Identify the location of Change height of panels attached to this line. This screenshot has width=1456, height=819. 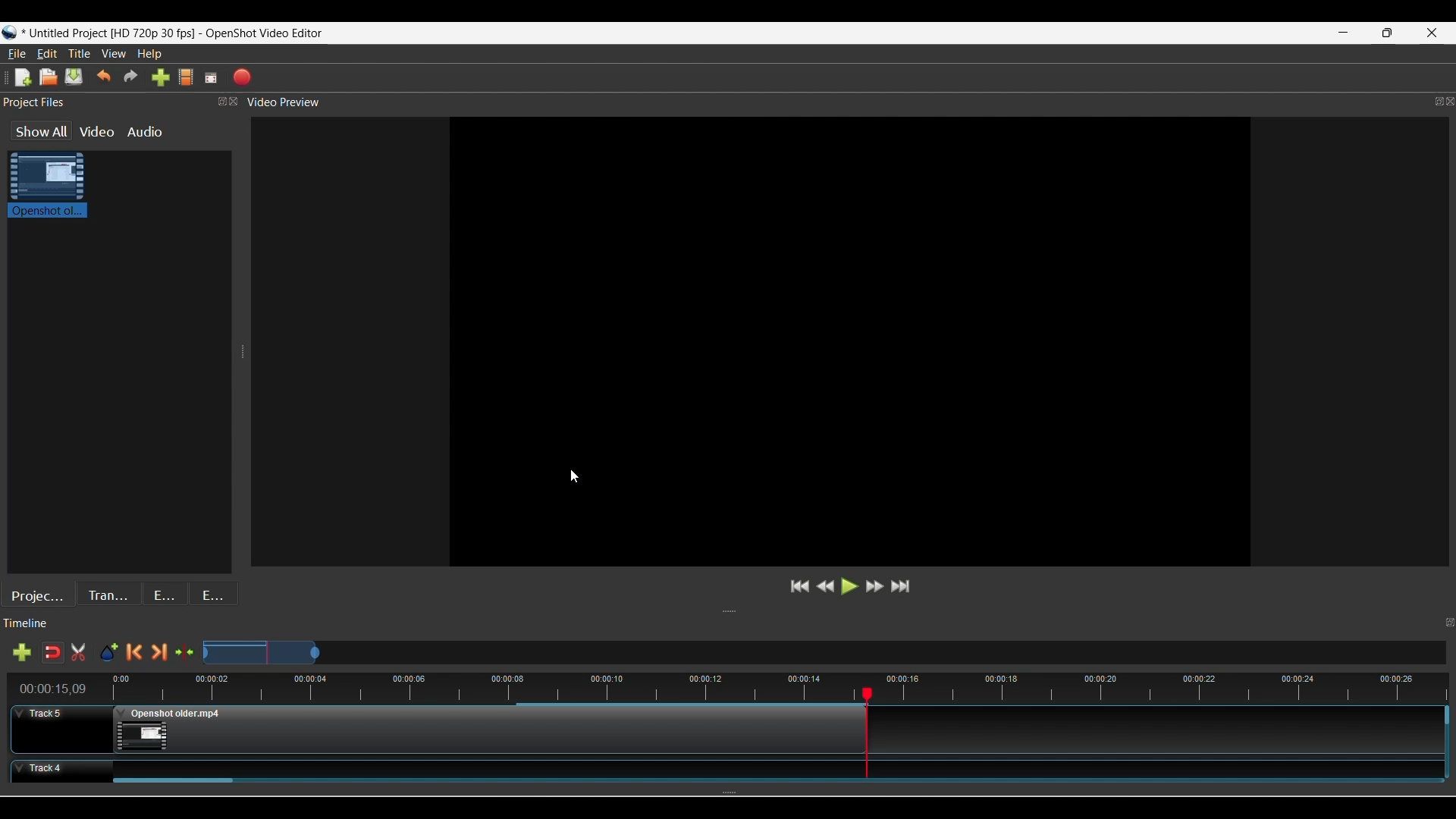
(799, 612).